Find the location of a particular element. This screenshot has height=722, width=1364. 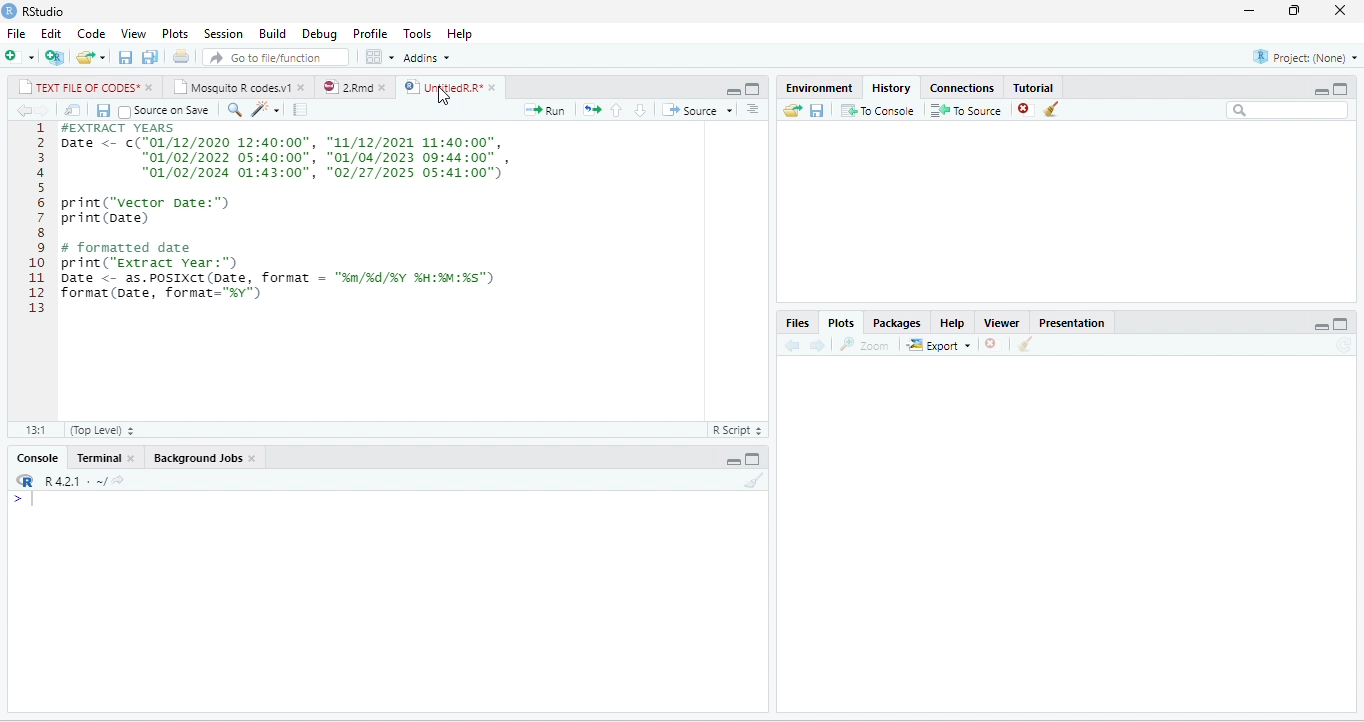

maximize is located at coordinates (1341, 324).